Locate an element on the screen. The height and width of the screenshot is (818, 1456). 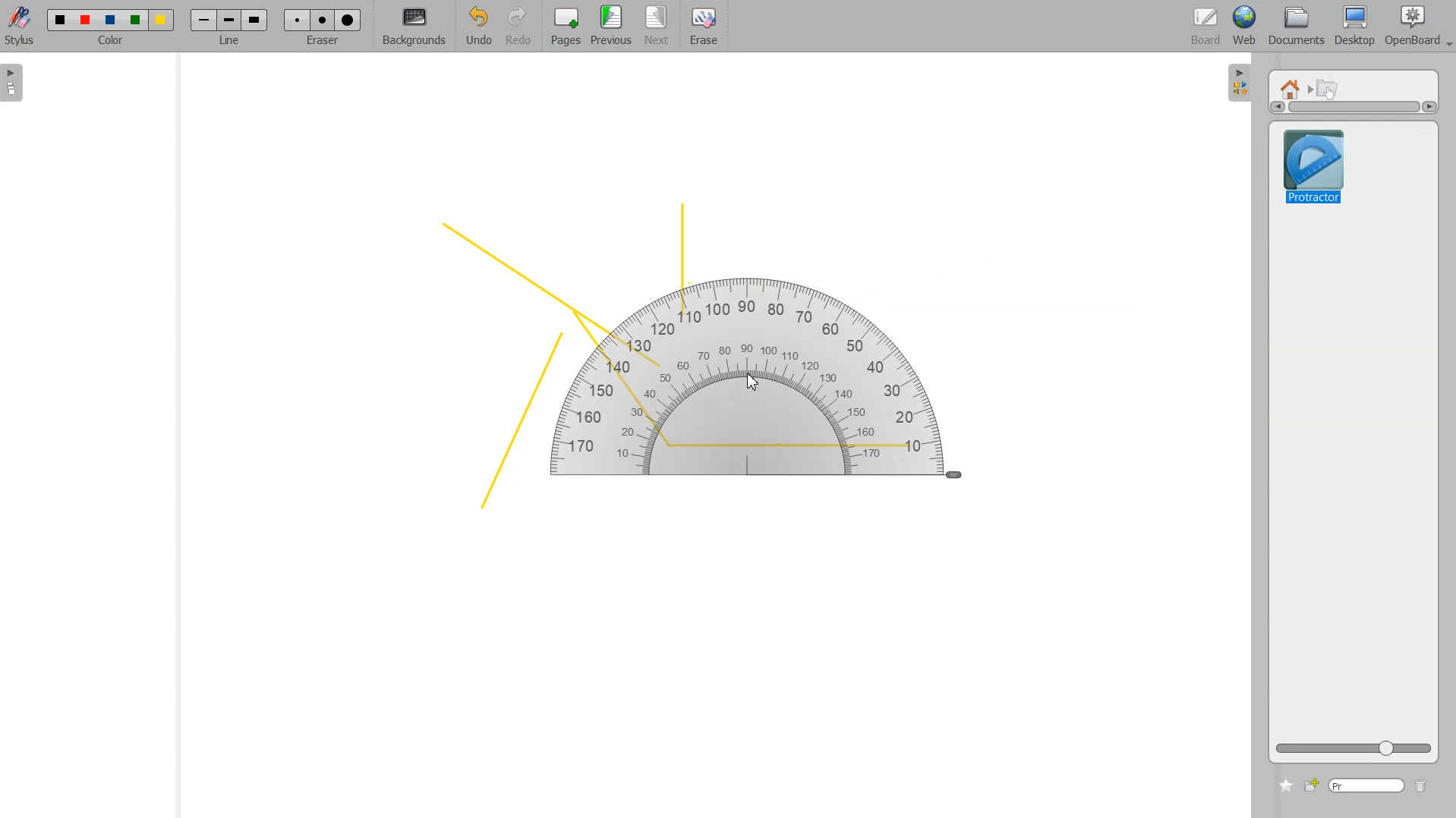
Sidebar is located at coordinates (1240, 81).